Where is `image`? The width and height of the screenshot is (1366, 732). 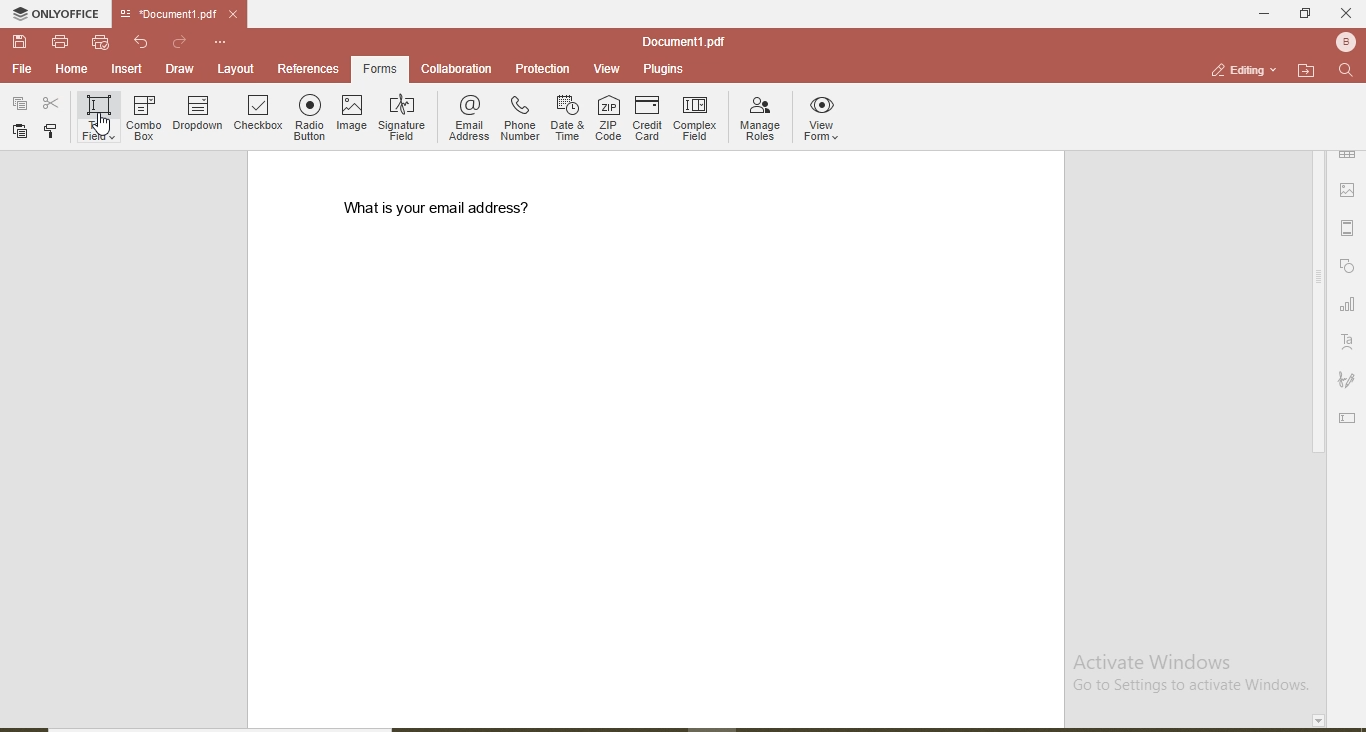 image is located at coordinates (351, 114).